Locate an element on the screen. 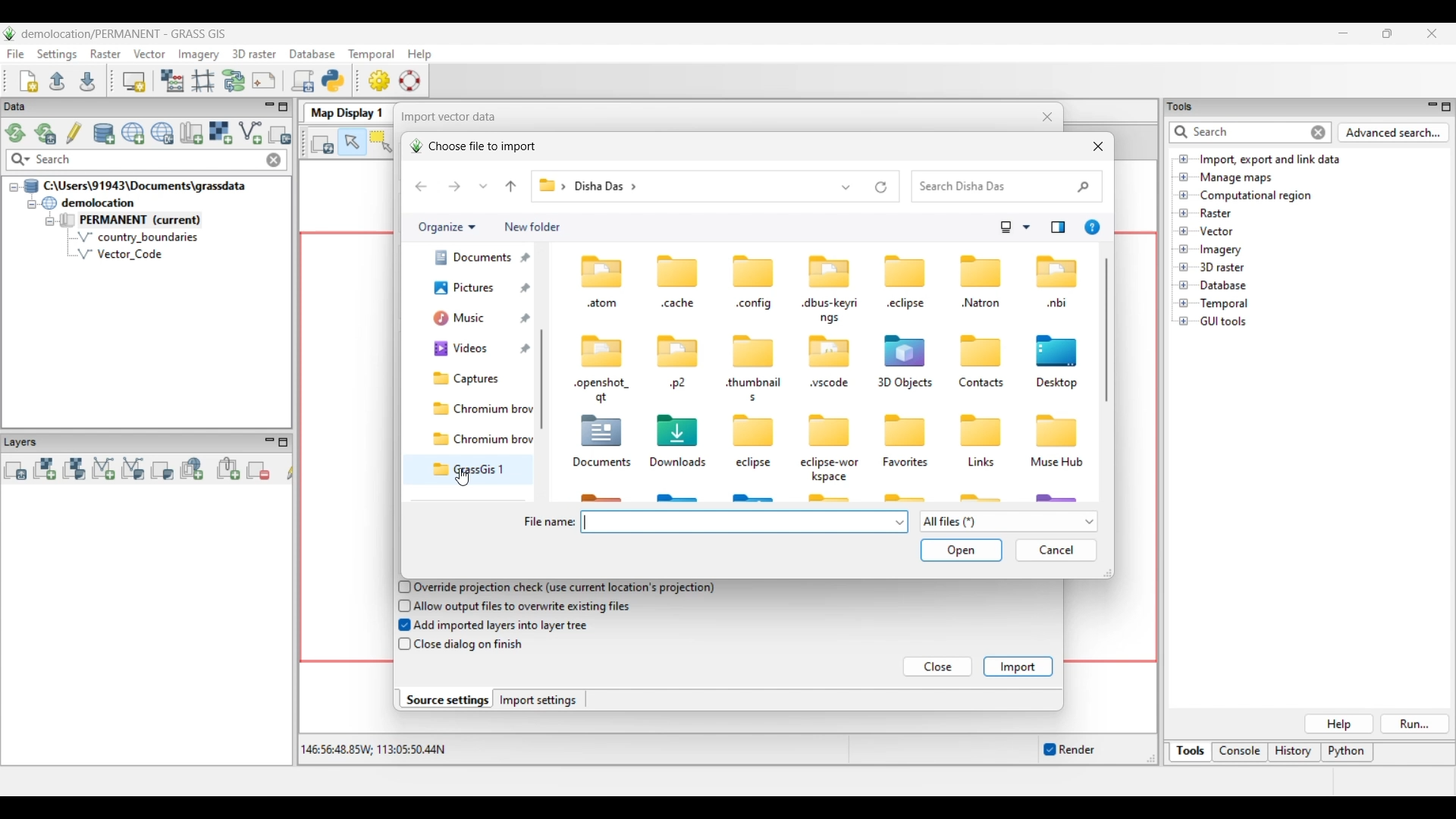  Go back is located at coordinates (421, 187).